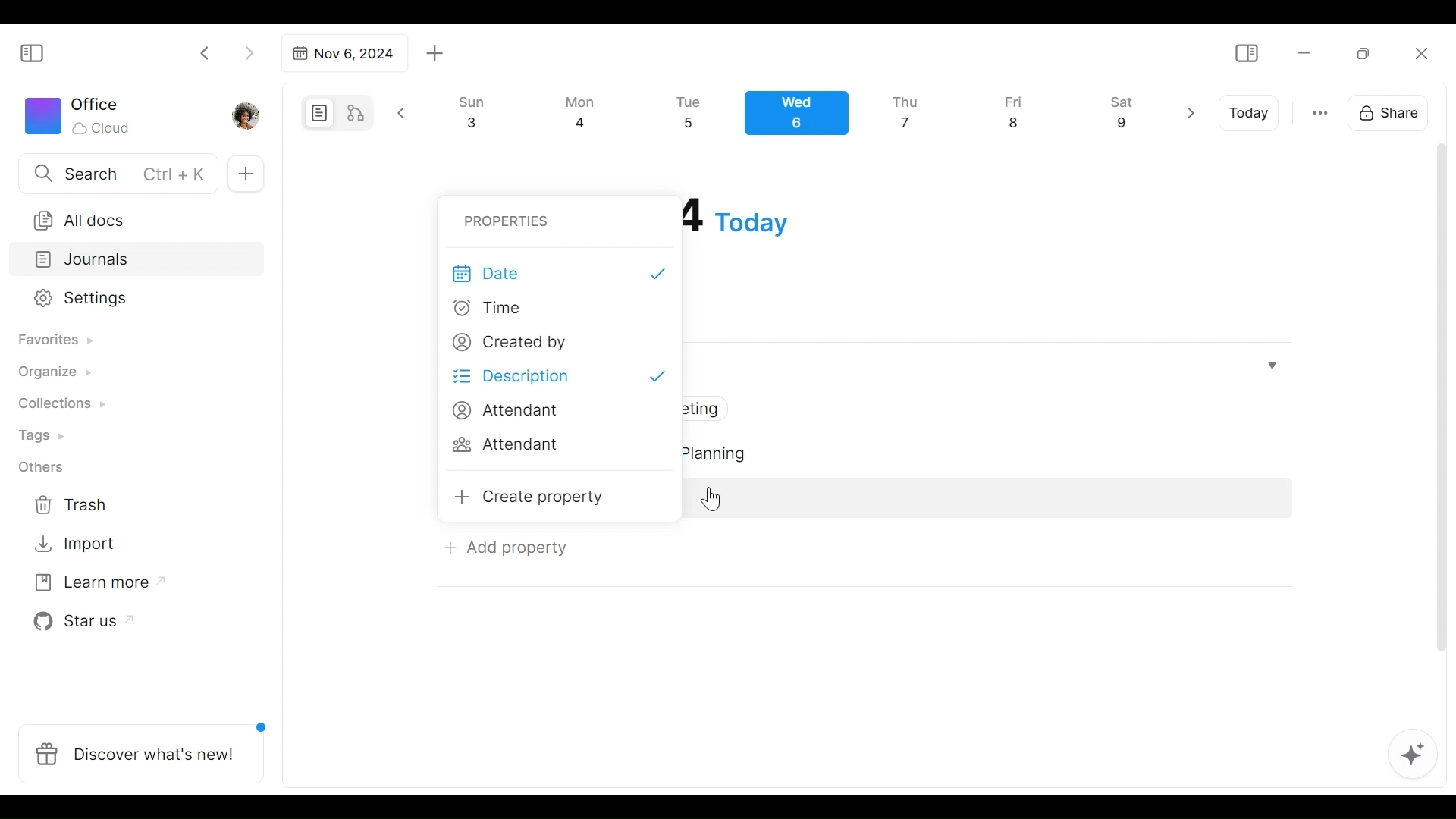  Describe the element at coordinates (131, 218) in the screenshot. I see `All documents` at that location.